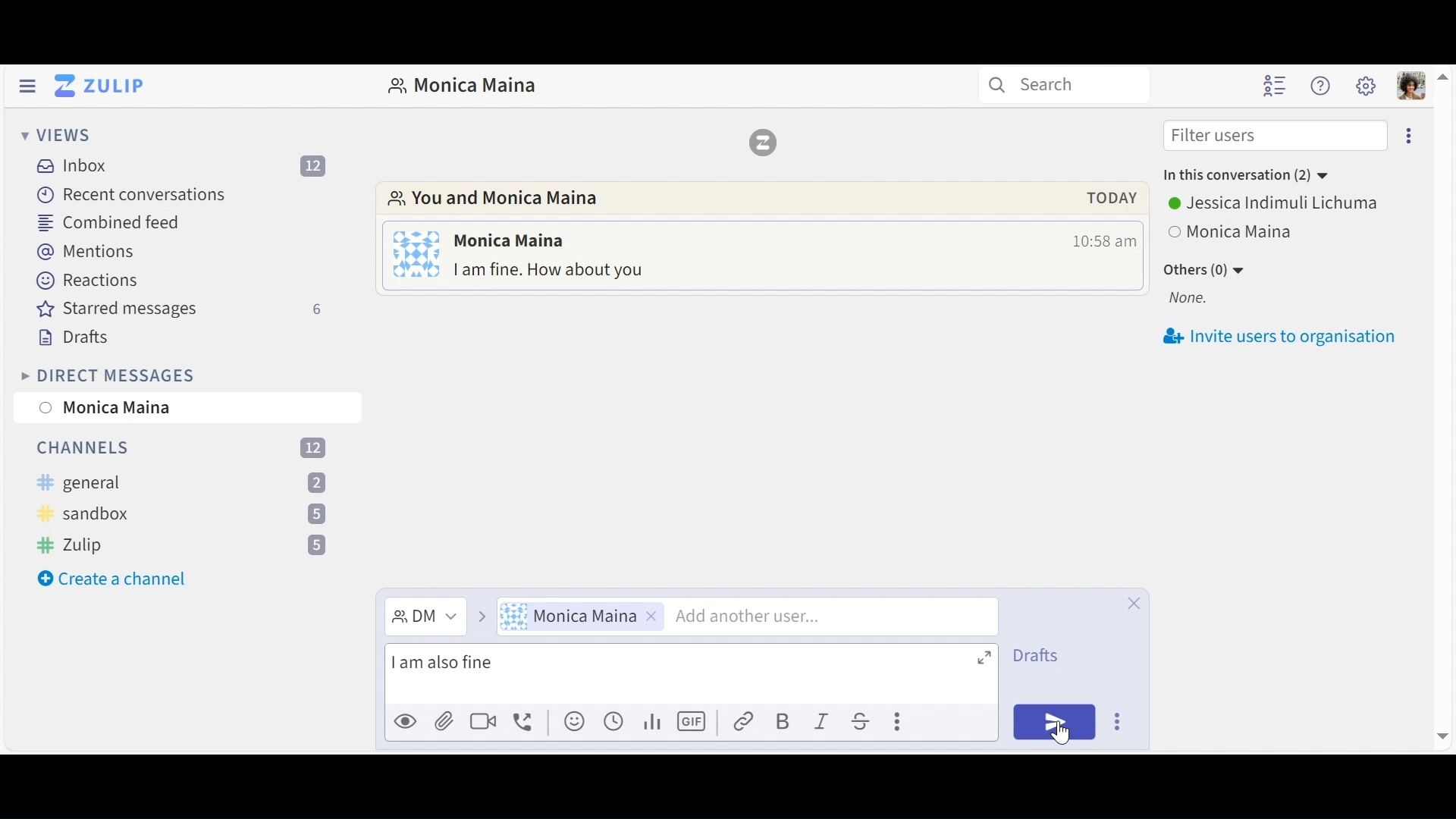 The image size is (1456, 819). I want to click on Add voice call, so click(527, 723).